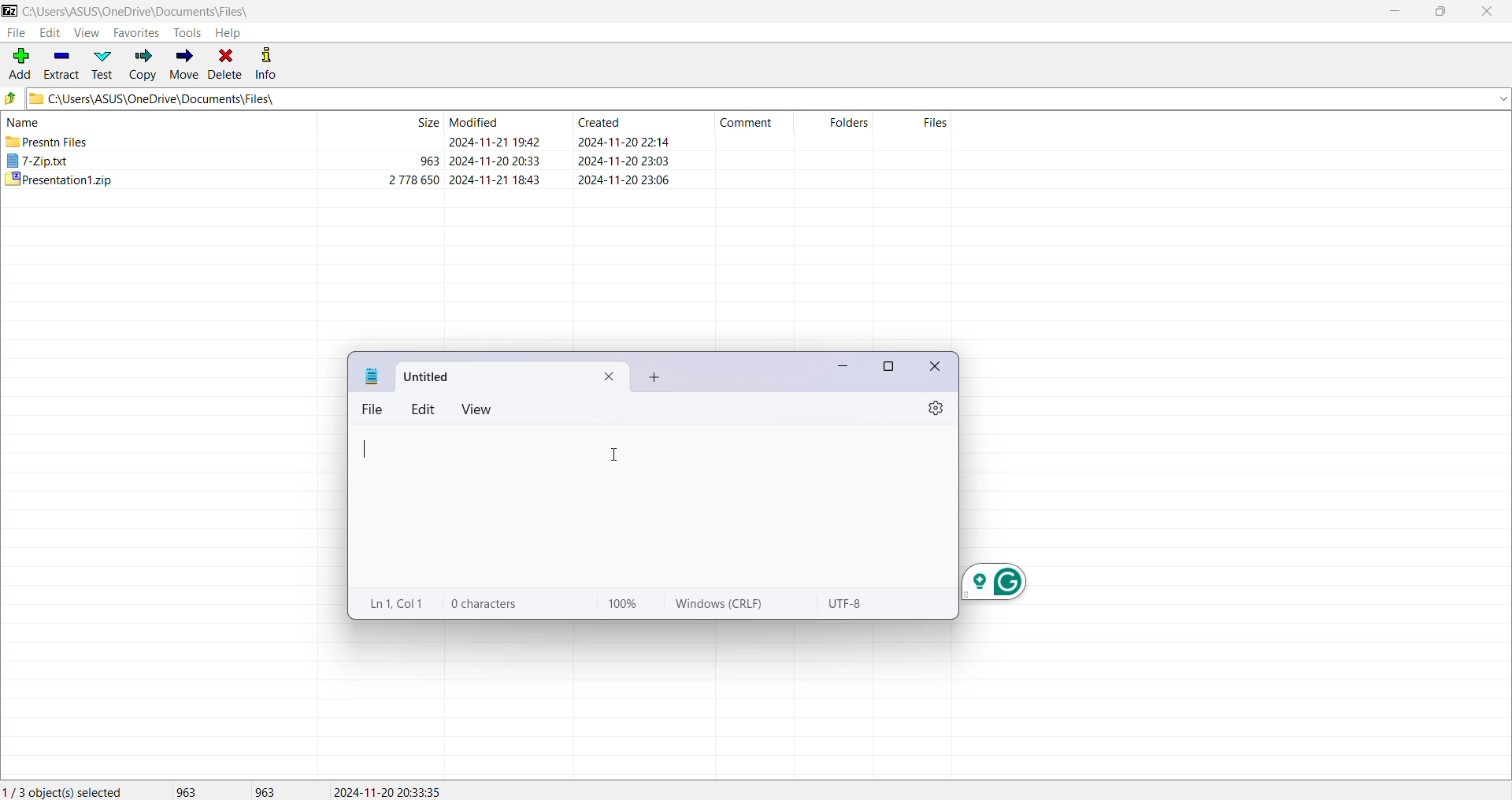 This screenshot has width=1512, height=800. What do you see at coordinates (396, 604) in the screenshot?
I see `ln 1, col 1` at bounding box center [396, 604].